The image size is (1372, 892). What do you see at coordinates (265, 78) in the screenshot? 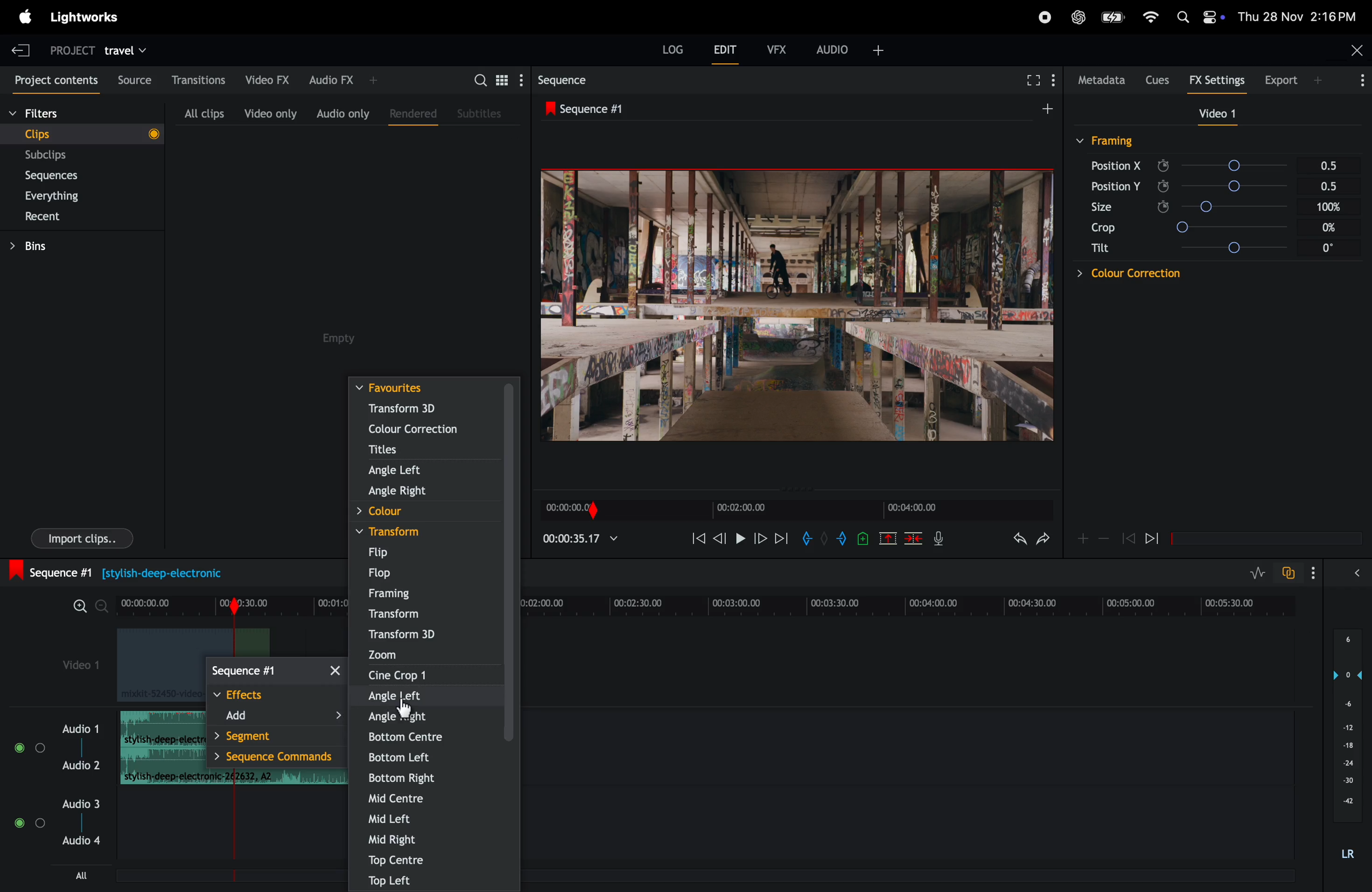
I see `video fx` at bounding box center [265, 78].